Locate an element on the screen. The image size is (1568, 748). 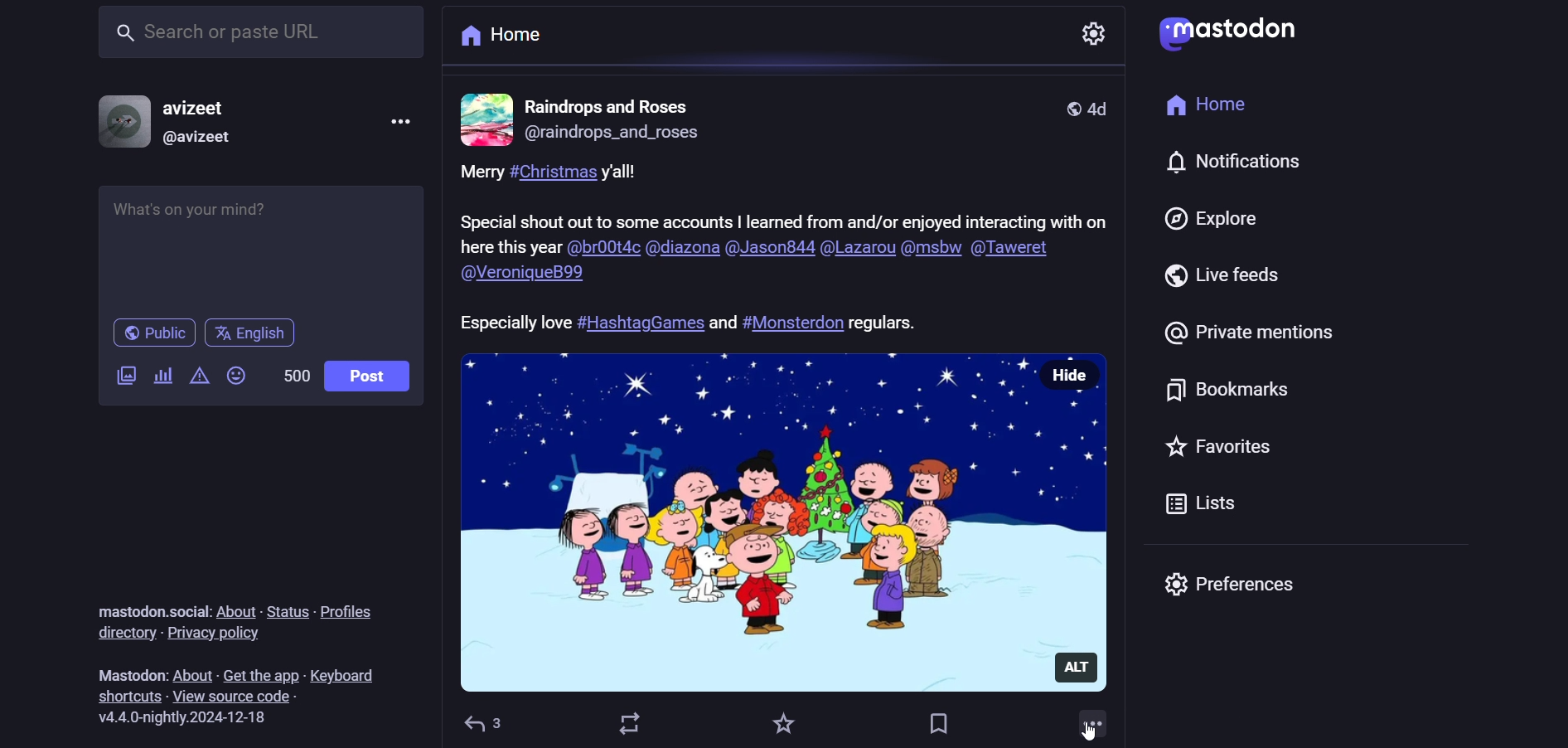
add image is located at coordinates (122, 376).